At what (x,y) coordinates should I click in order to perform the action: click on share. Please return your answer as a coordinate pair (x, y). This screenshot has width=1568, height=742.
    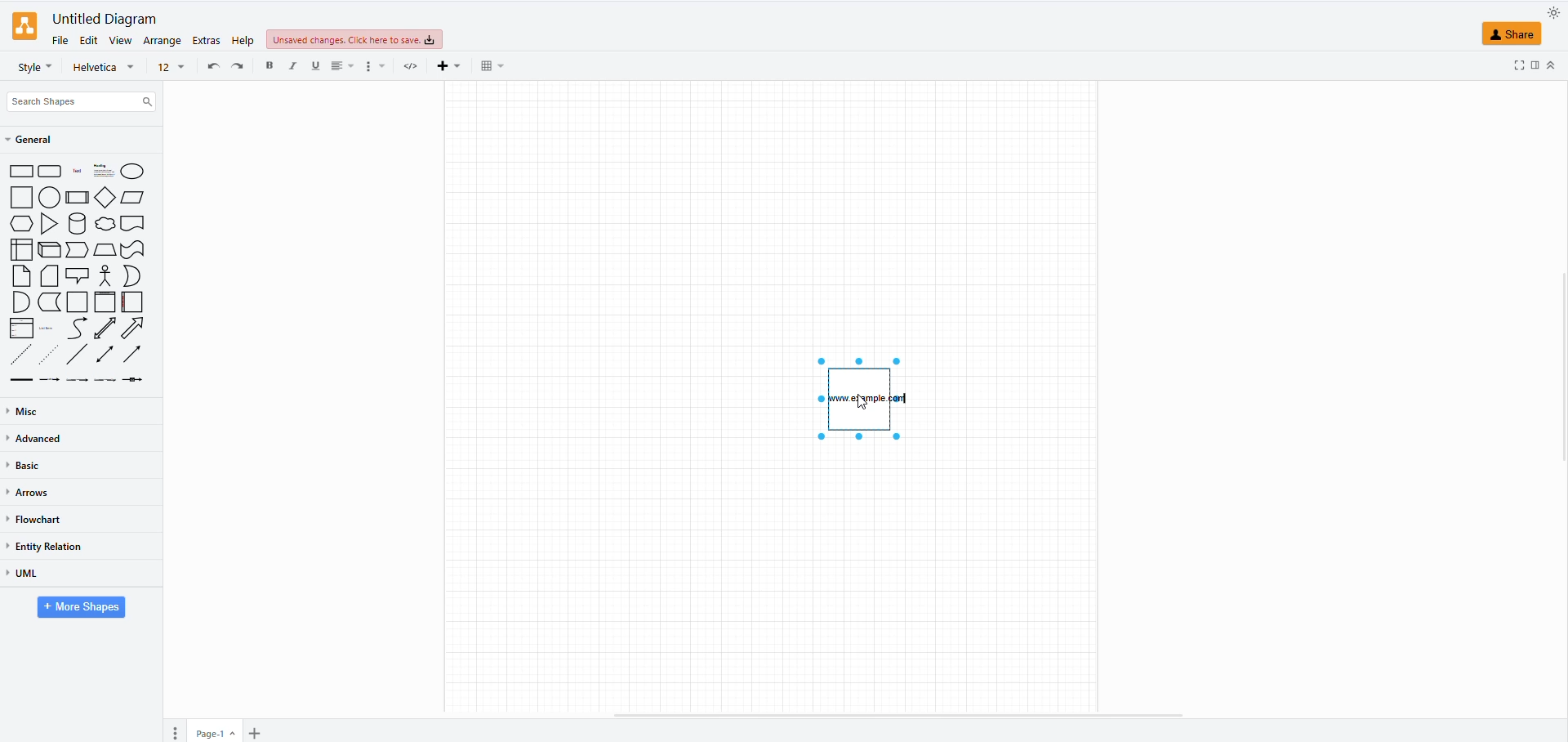
    Looking at the image, I should click on (1511, 35).